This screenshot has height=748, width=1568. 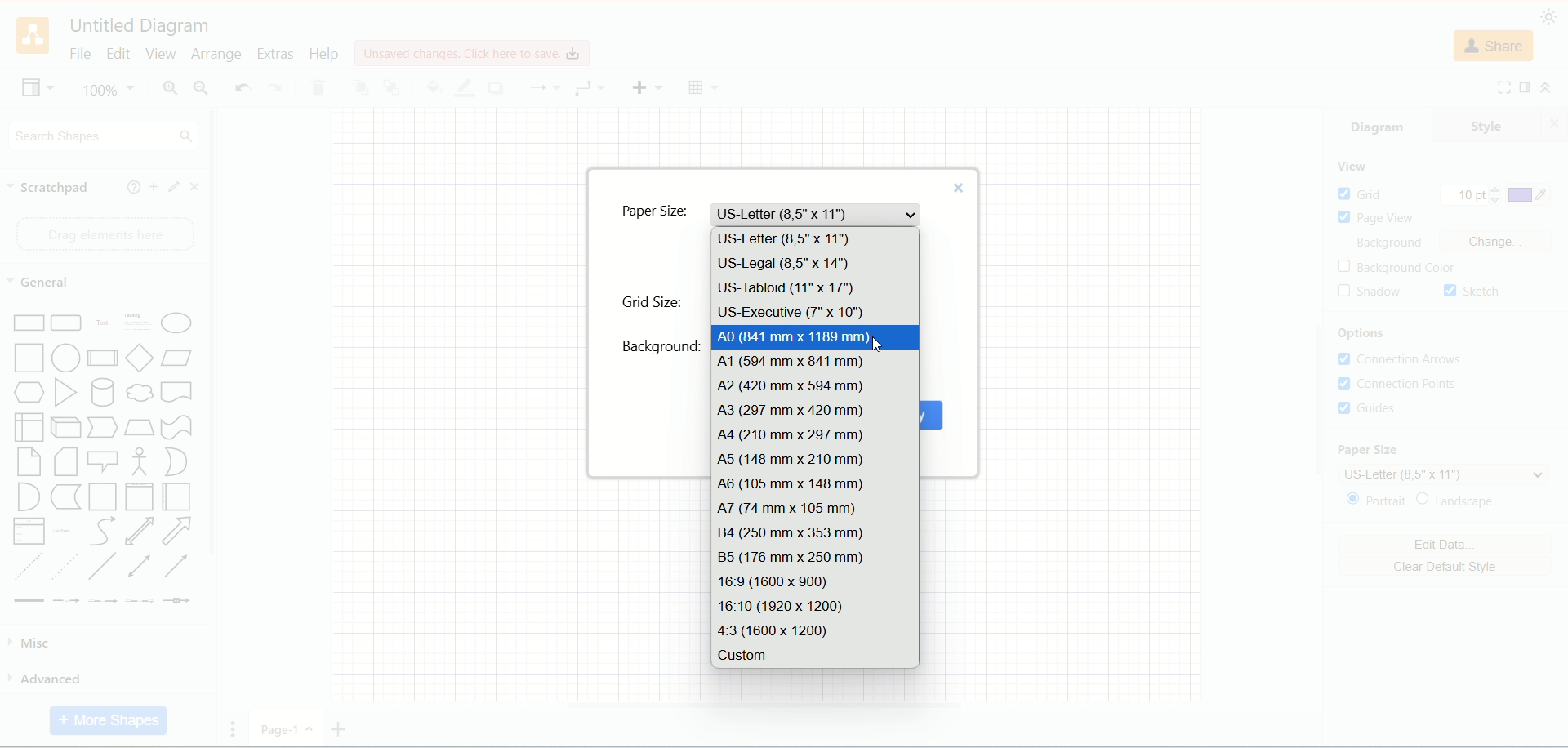 I want to click on scratch pad, so click(x=49, y=189).